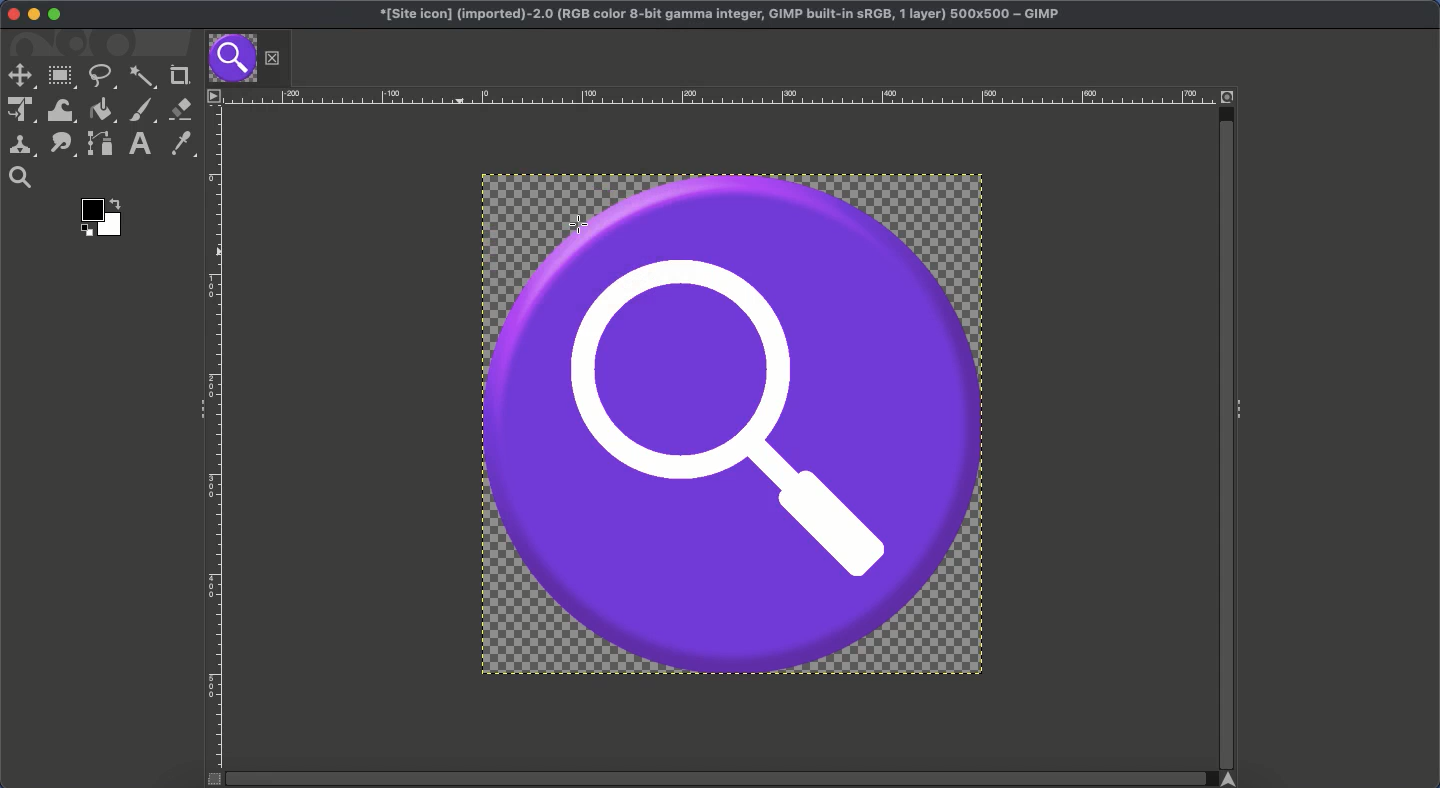 Image resolution: width=1440 pixels, height=788 pixels. What do you see at coordinates (103, 216) in the screenshot?
I see `Color` at bounding box center [103, 216].